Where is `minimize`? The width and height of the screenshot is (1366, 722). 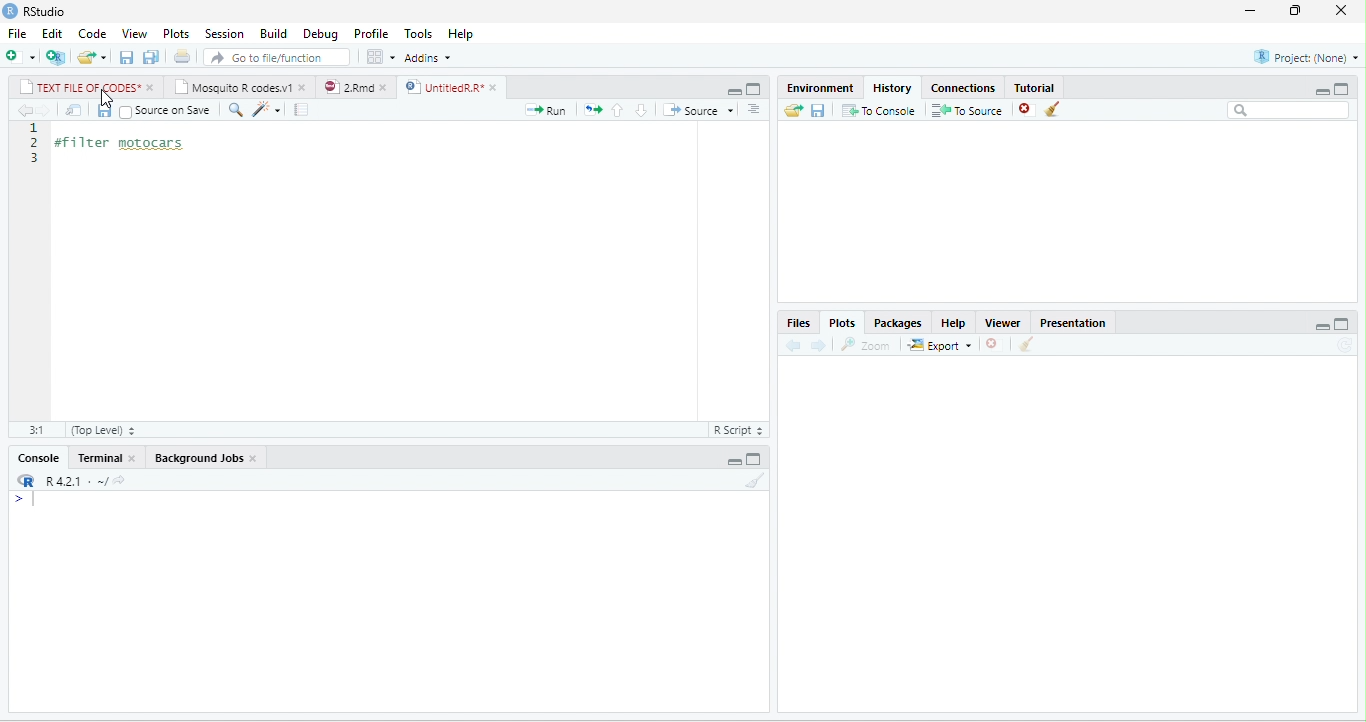 minimize is located at coordinates (734, 91).